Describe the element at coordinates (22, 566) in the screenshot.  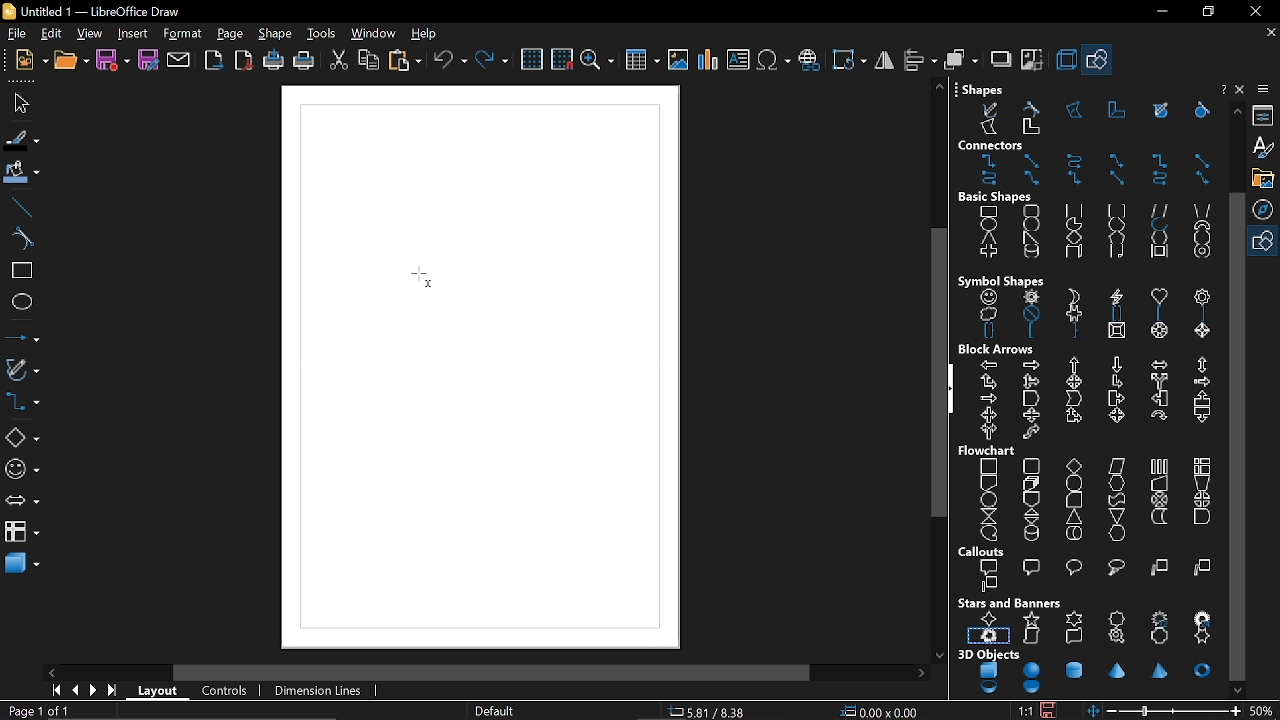
I see `3d shapes` at that location.